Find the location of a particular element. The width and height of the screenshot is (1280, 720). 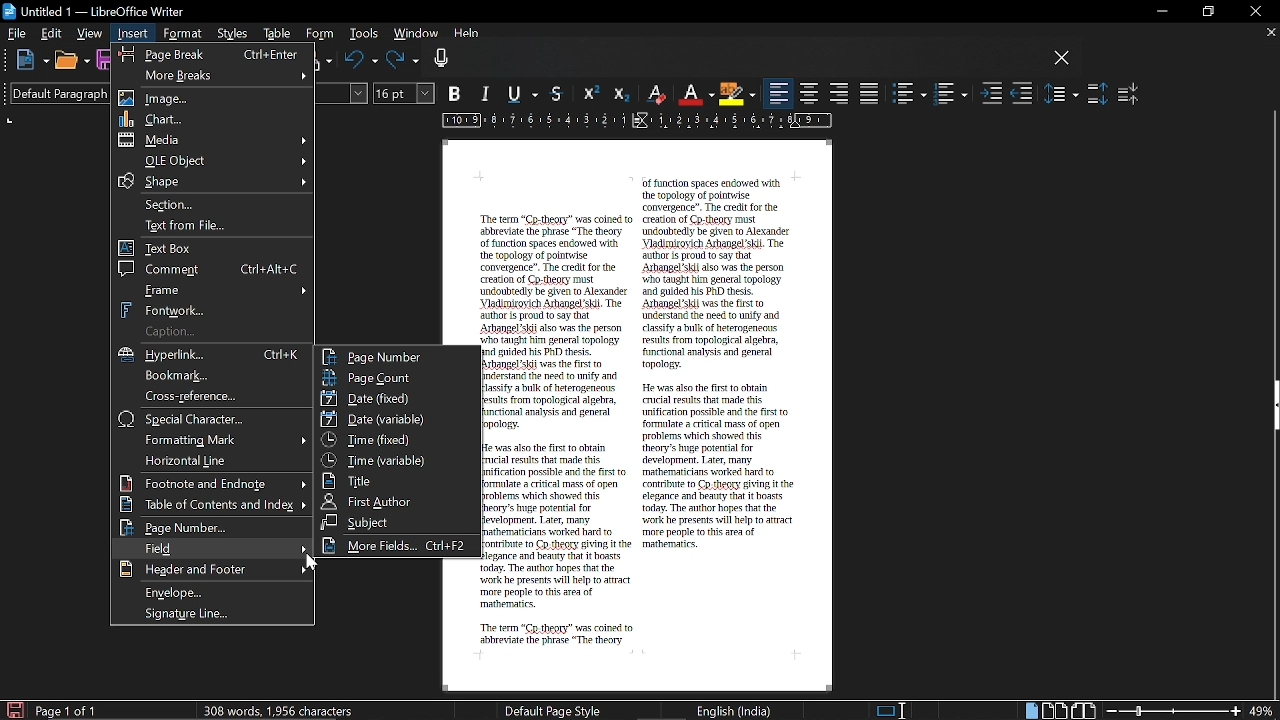

BOld is located at coordinates (457, 93).